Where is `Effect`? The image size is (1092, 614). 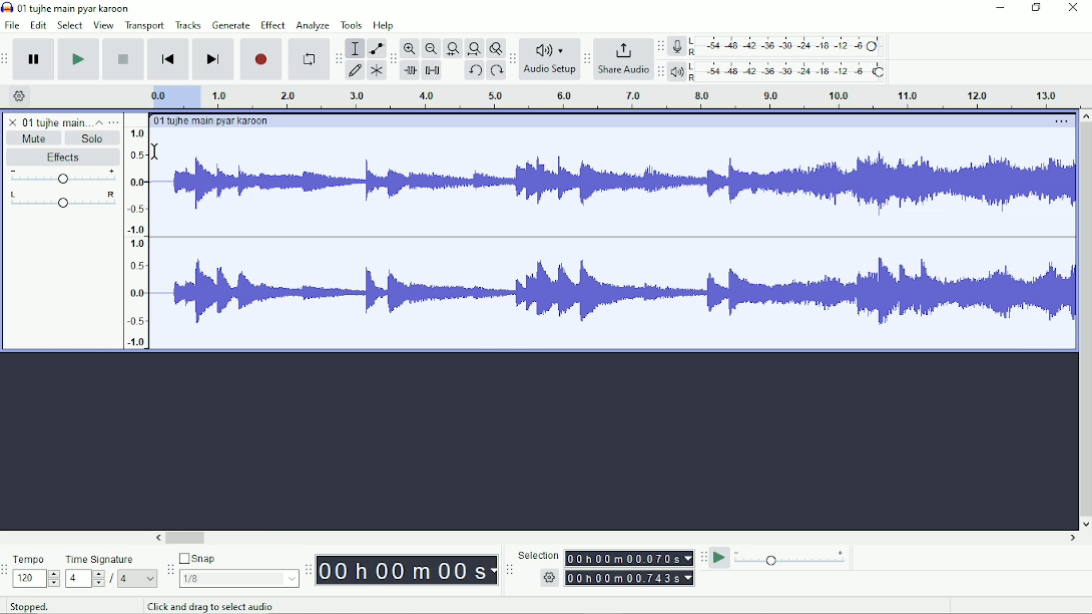
Effect is located at coordinates (272, 24).